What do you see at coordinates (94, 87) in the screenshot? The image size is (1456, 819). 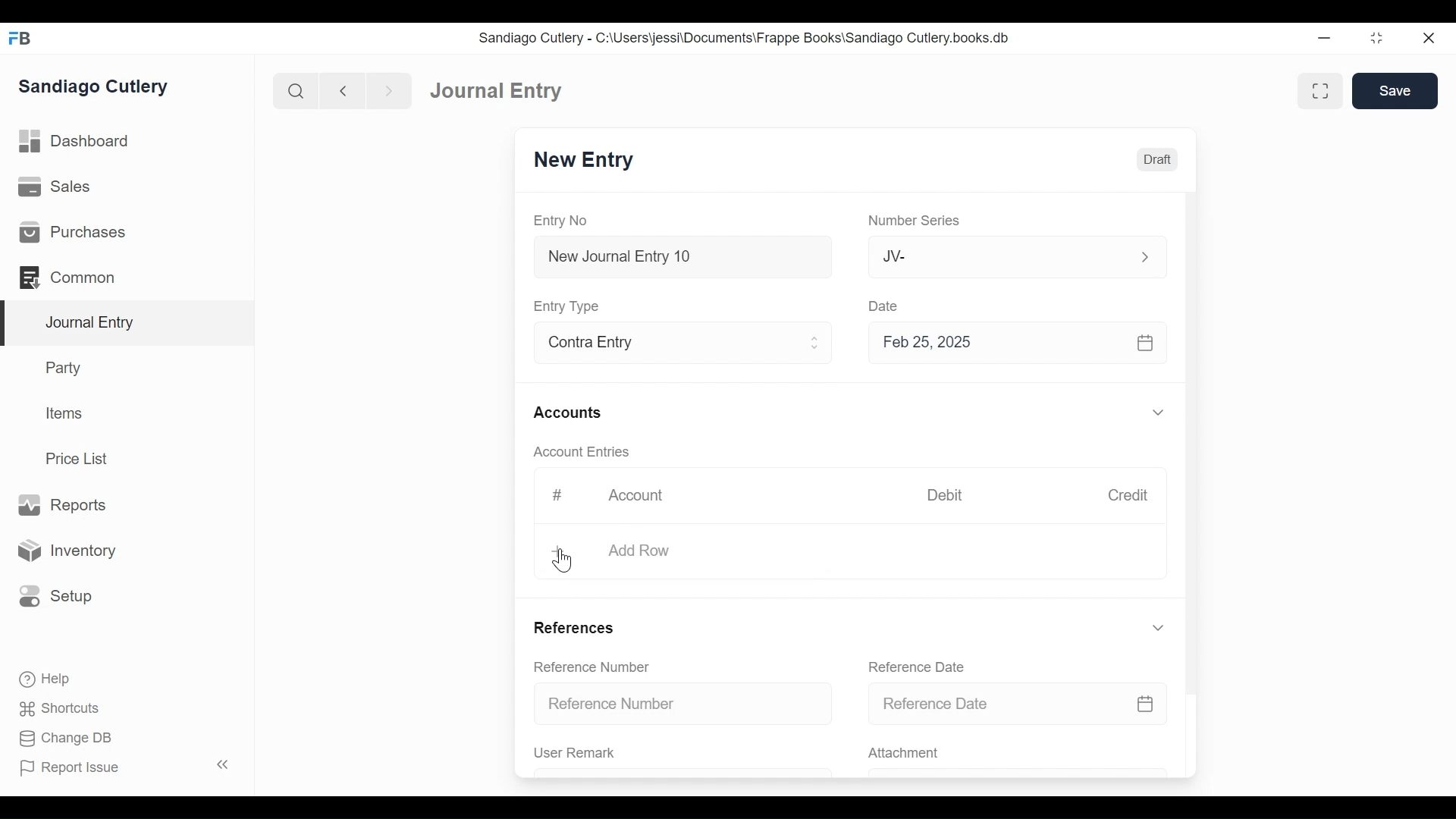 I see `Sandiago Cutlery` at bounding box center [94, 87].